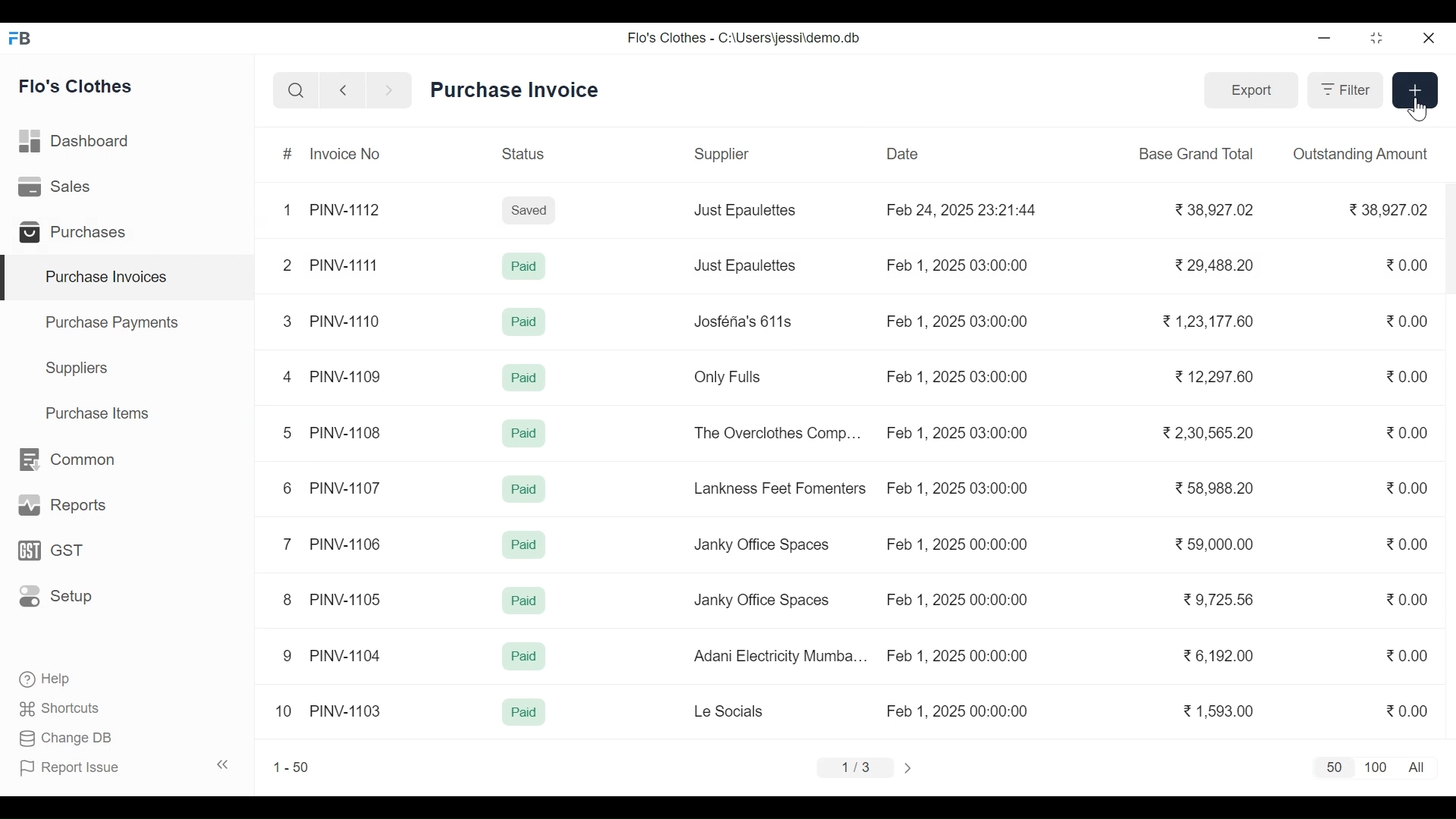  I want to click on Paid, so click(525, 601).